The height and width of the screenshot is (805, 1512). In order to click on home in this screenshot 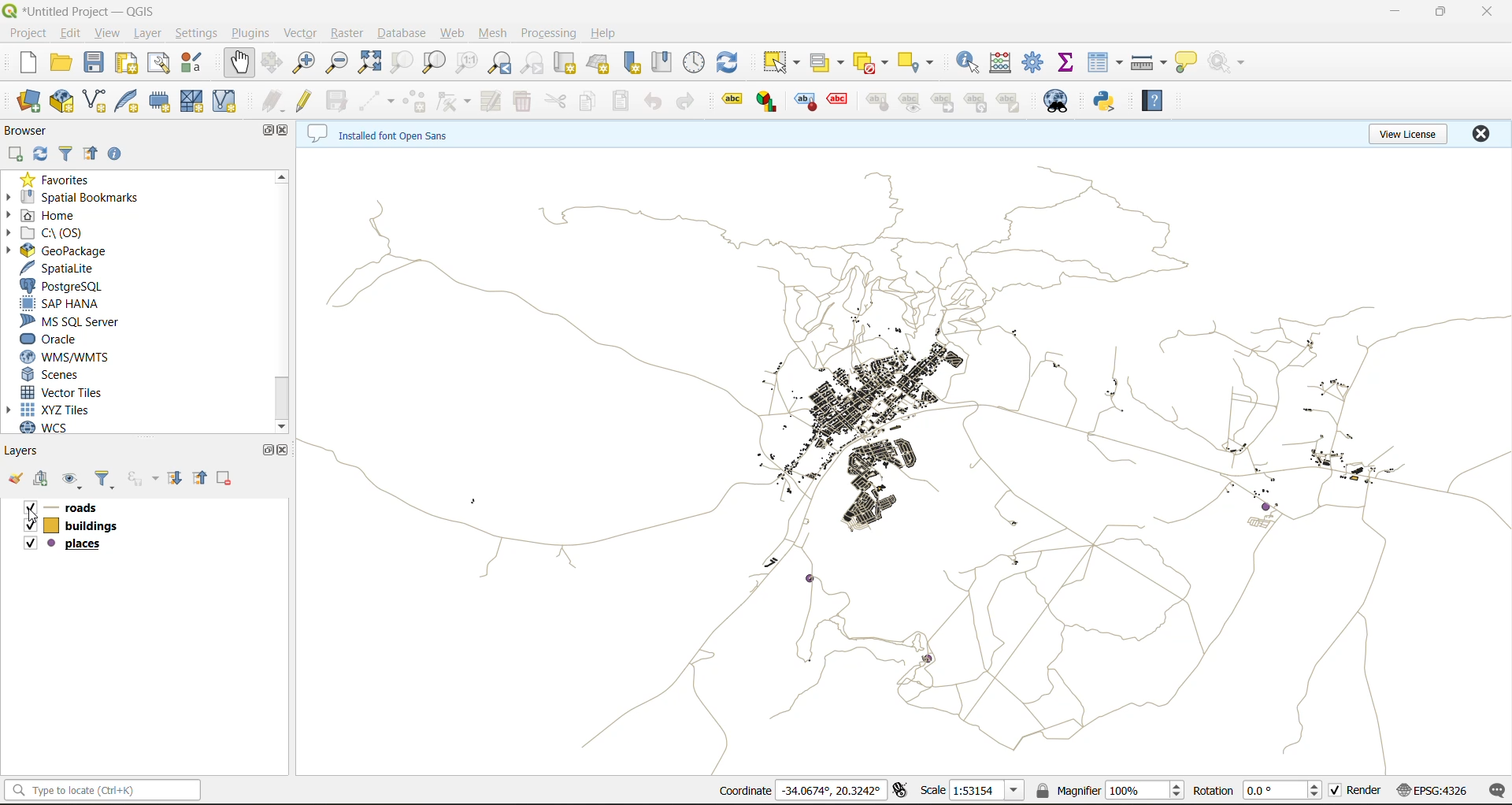, I will do `click(64, 215)`.